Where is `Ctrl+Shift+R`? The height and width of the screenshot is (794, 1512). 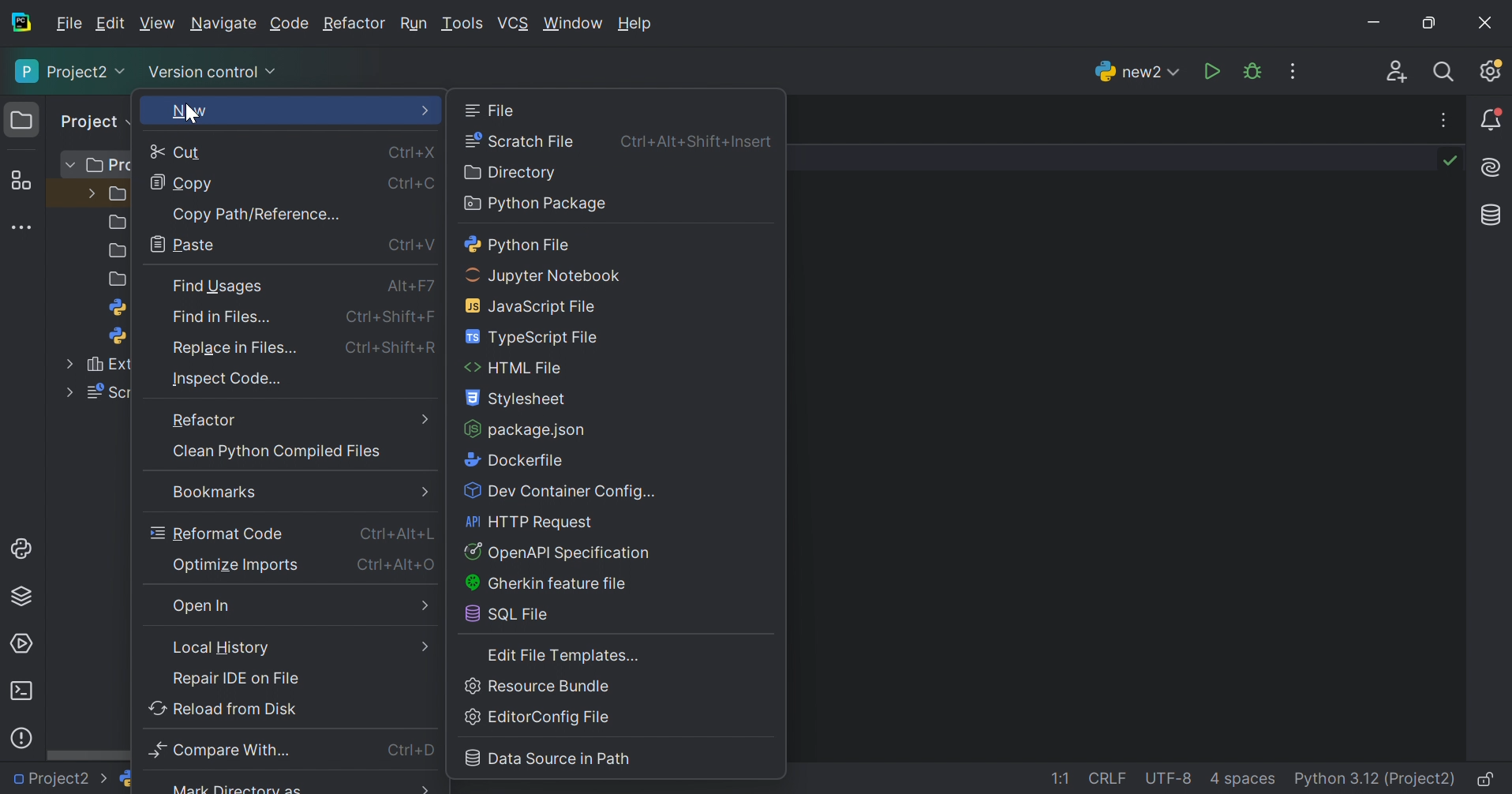 Ctrl+Shift+R is located at coordinates (395, 350).